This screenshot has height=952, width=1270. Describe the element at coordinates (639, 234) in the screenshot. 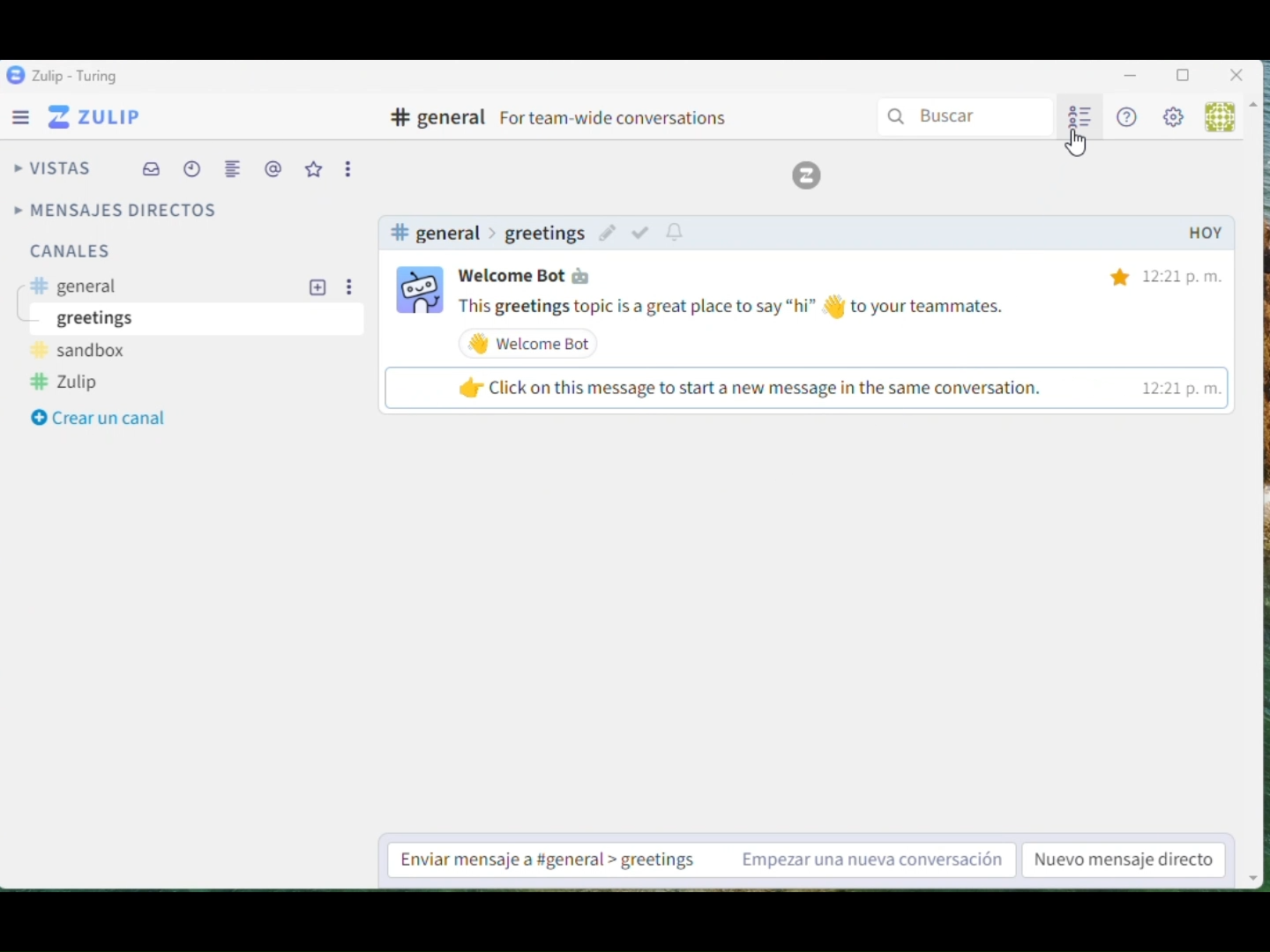

I see `mark` at that location.